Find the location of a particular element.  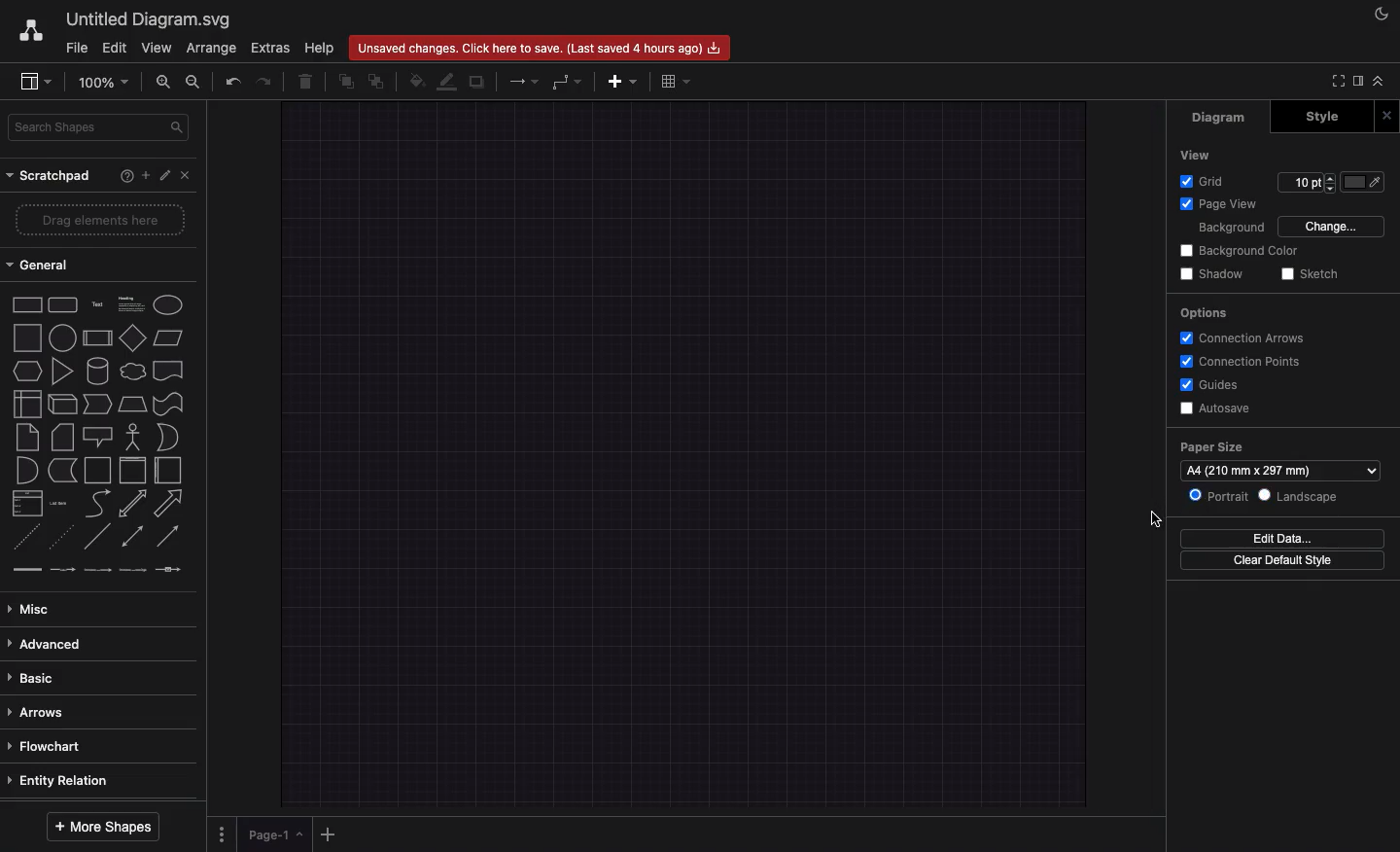

Ad is located at coordinates (142, 177).